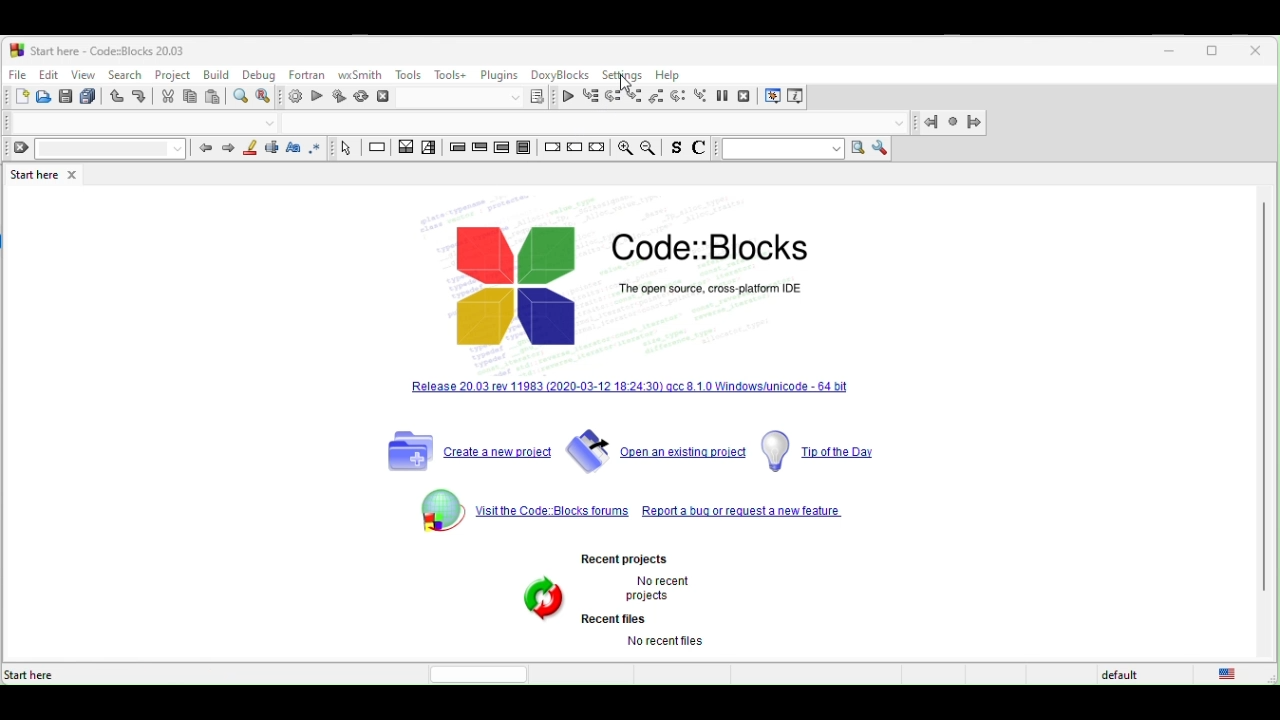 The width and height of the screenshot is (1280, 720). Describe the element at coordinates (361, 74) in the screenshot. I see `wxsmith` at that location.